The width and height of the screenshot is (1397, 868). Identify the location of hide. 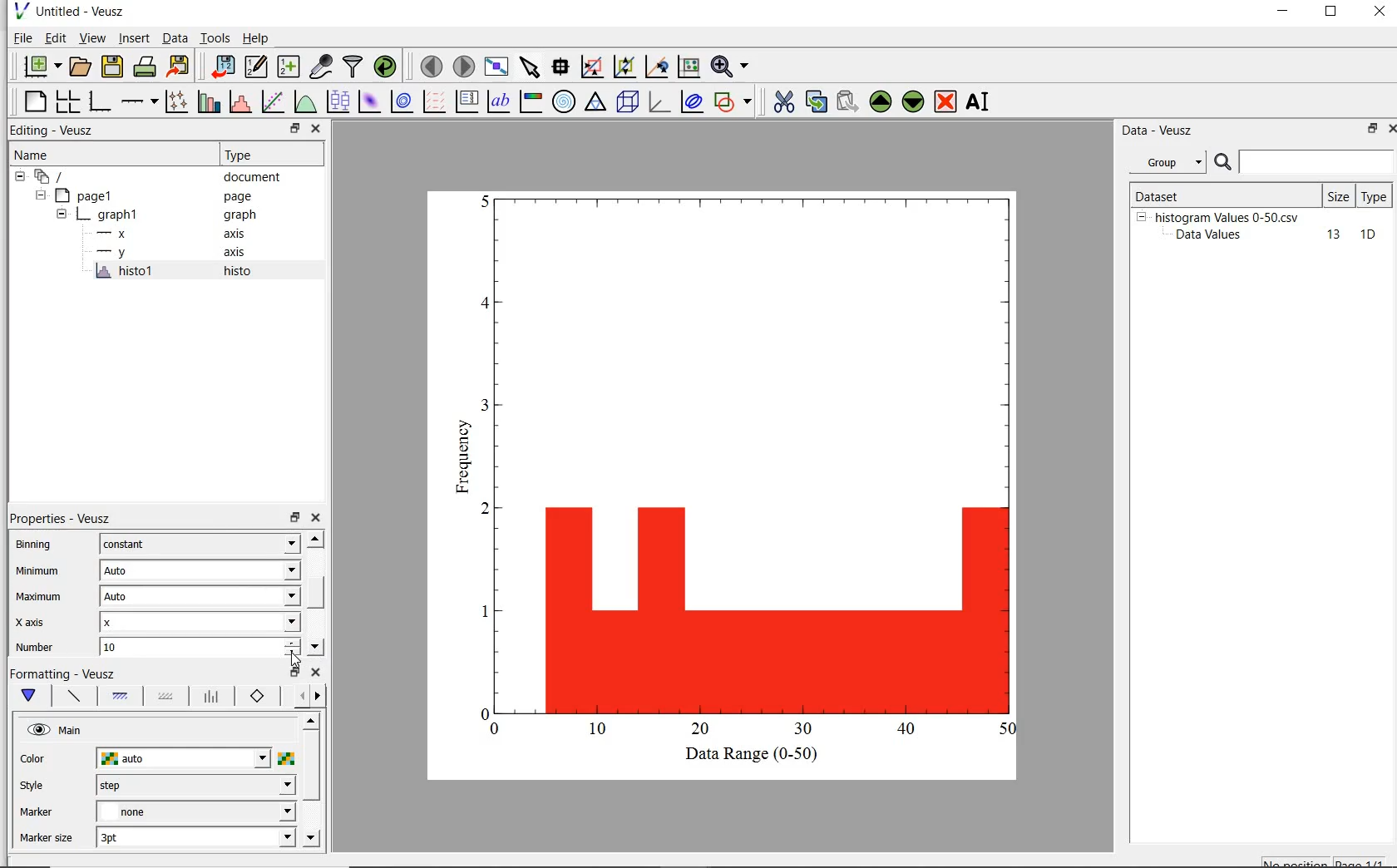
(20, 177).